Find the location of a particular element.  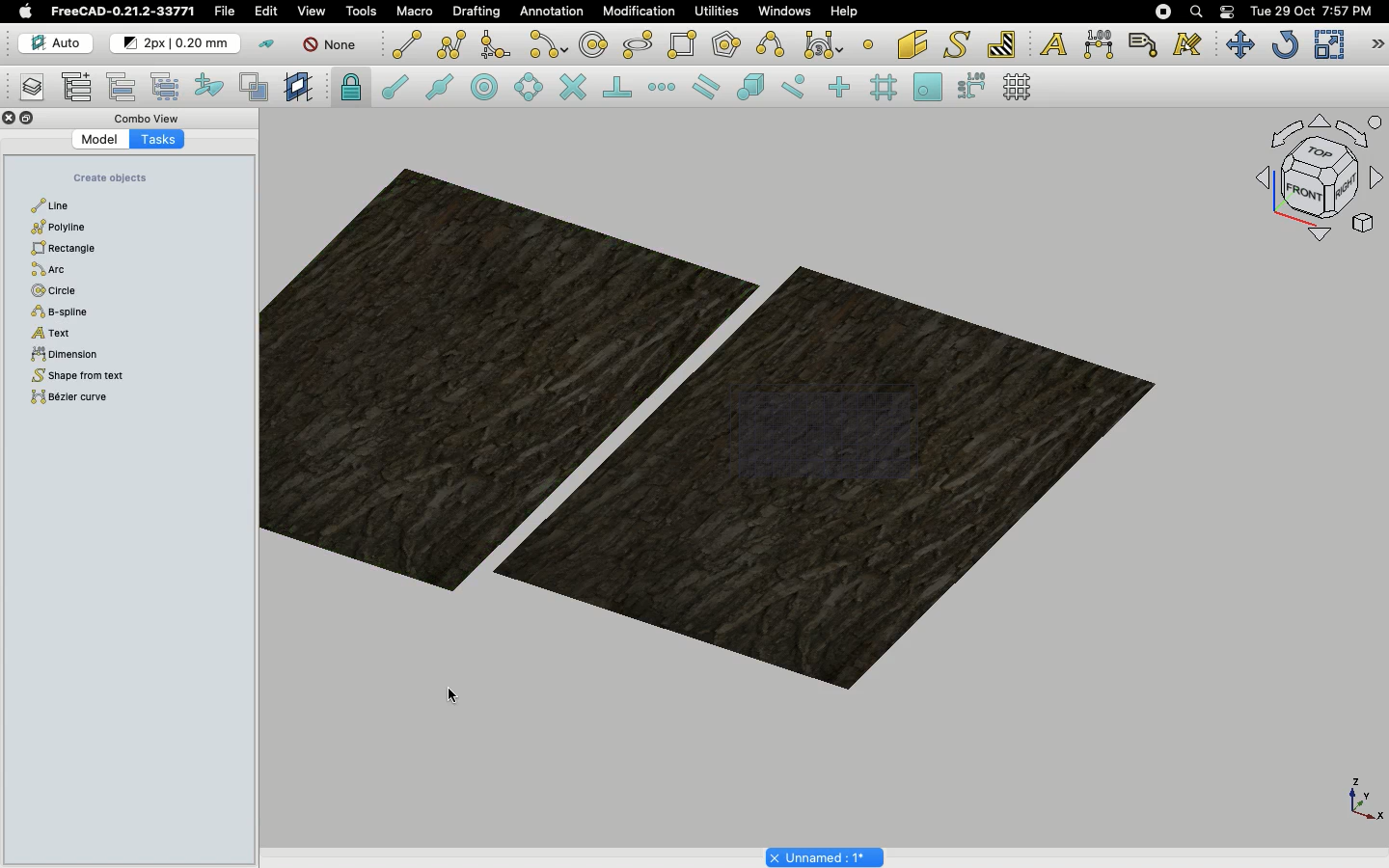

Blazer curve is located at coordinates (83, 400).